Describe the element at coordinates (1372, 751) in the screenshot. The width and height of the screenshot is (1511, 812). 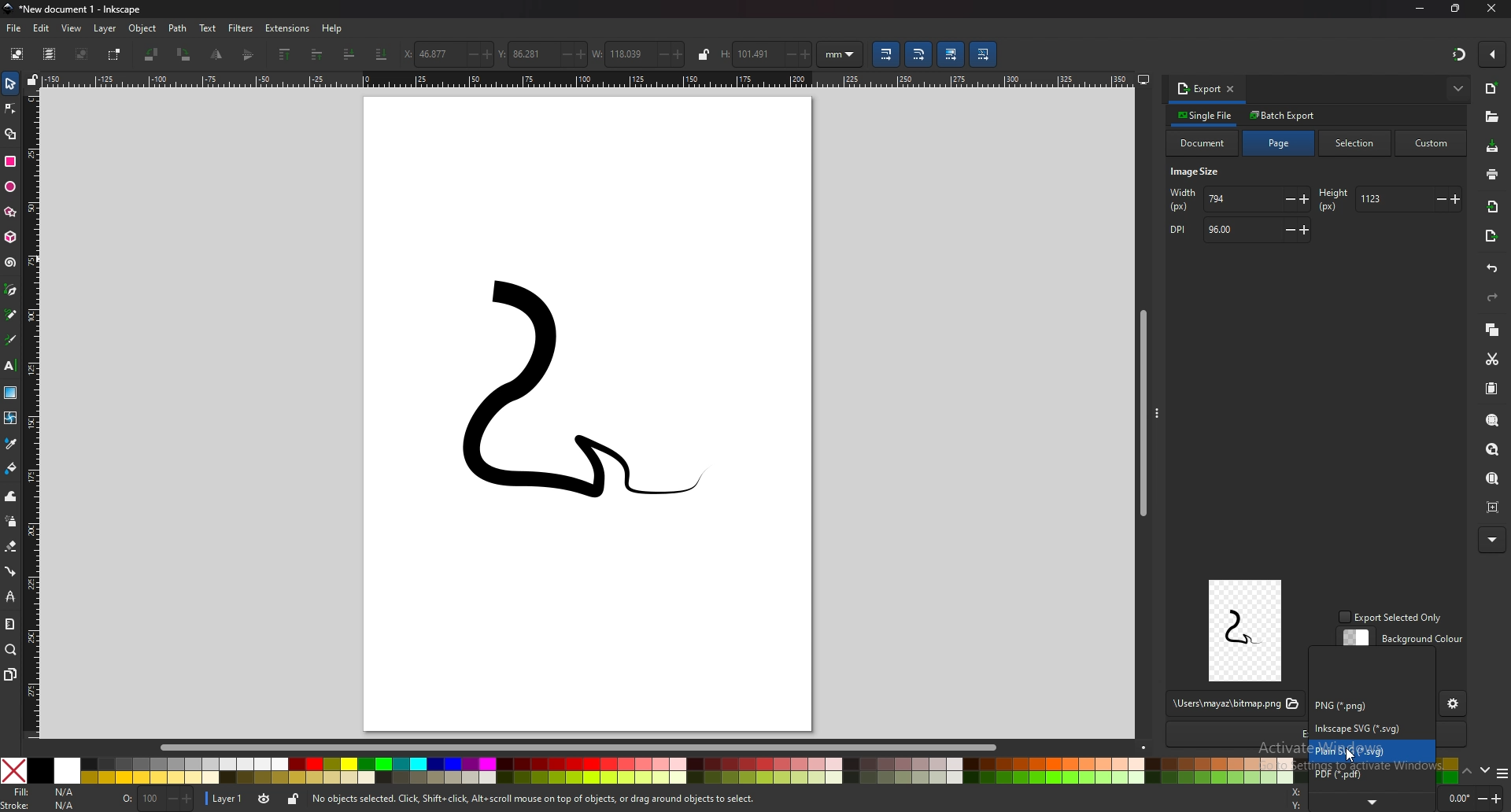
I see `plain svg` at that location.